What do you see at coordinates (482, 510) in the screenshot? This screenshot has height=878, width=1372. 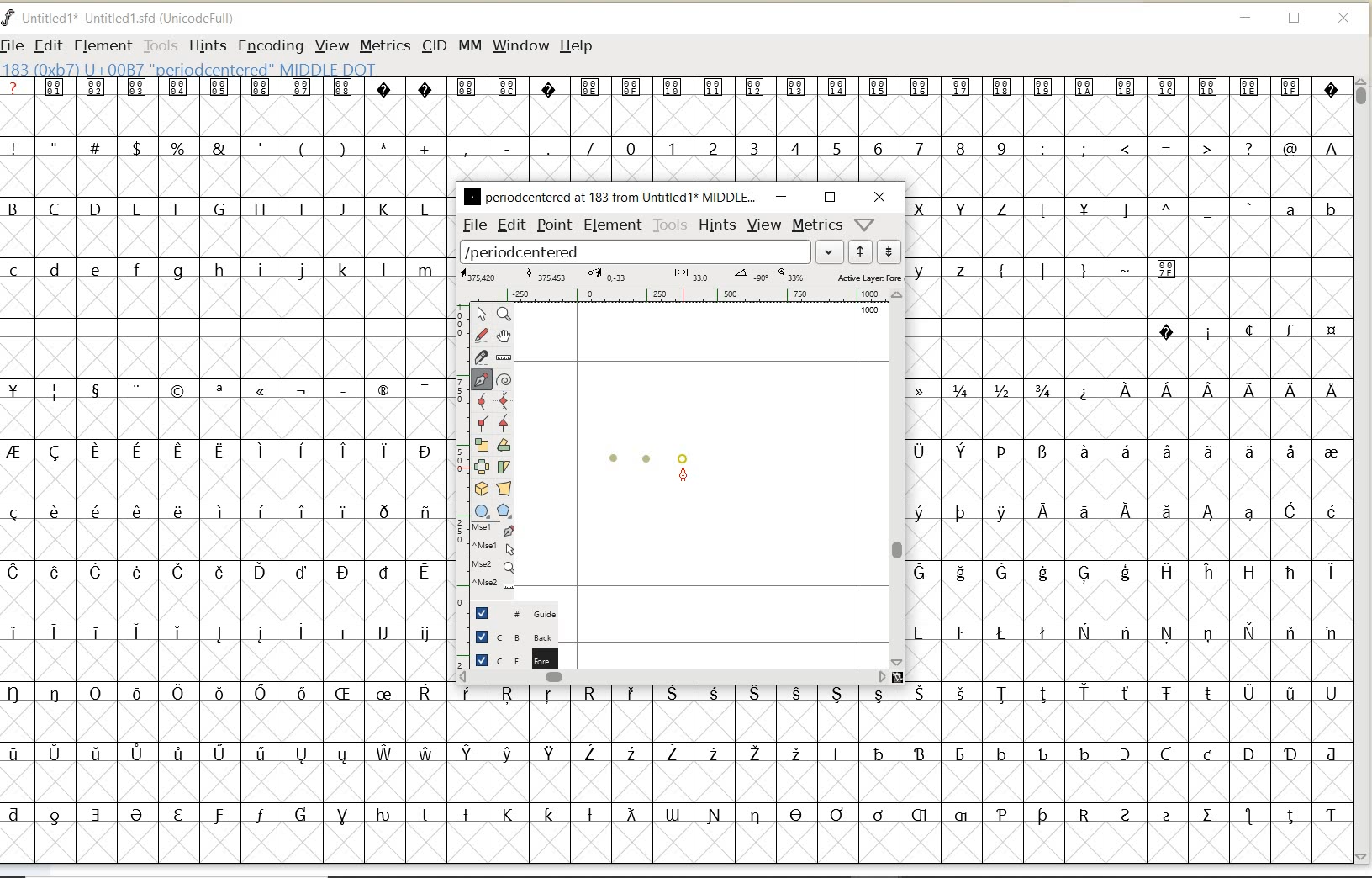 I see `rectangle or ellipse` at bounding box center [482, 510].